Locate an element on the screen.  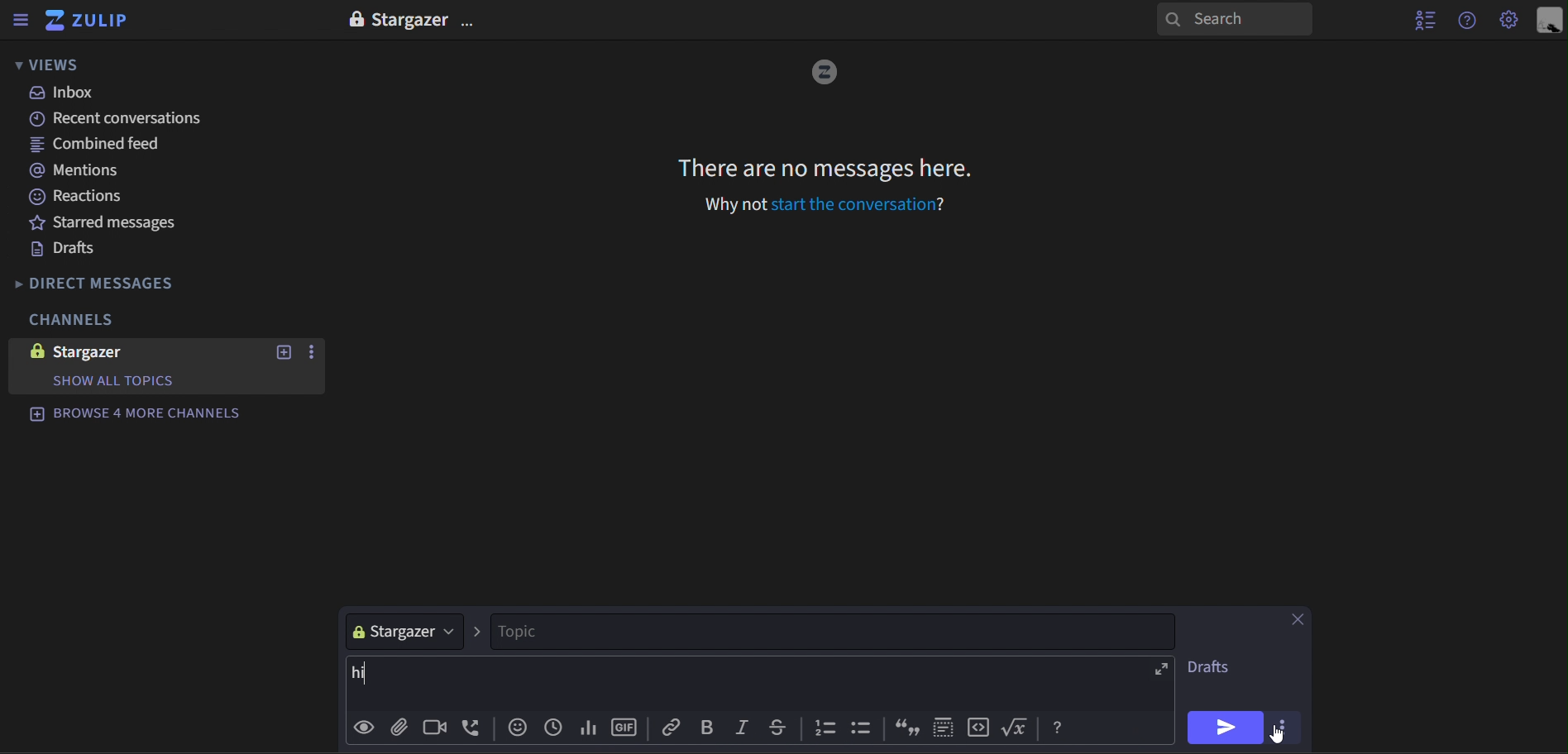
combined feed is located at coordinates (112, 143).